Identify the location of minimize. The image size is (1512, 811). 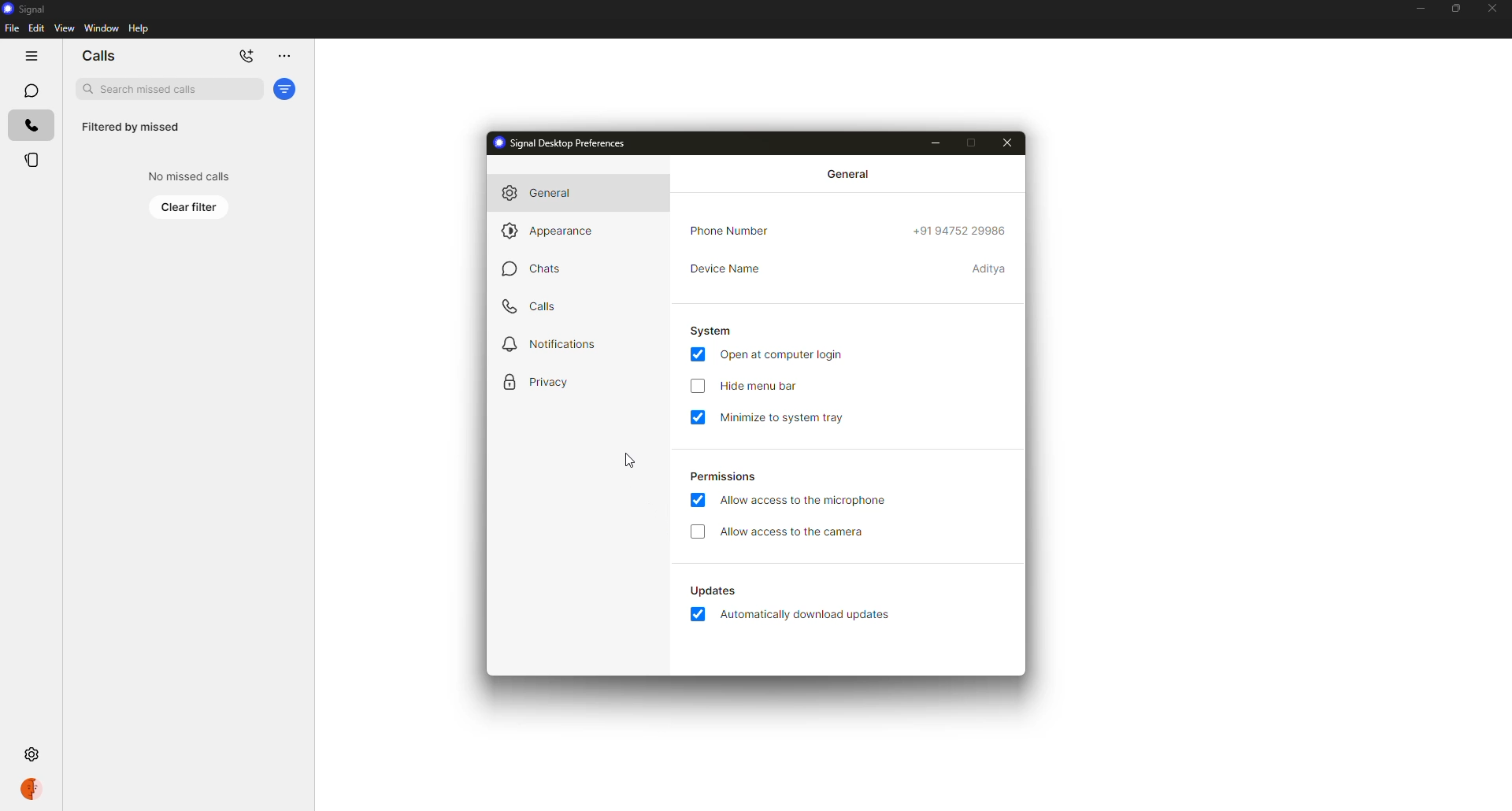
(936, 143).